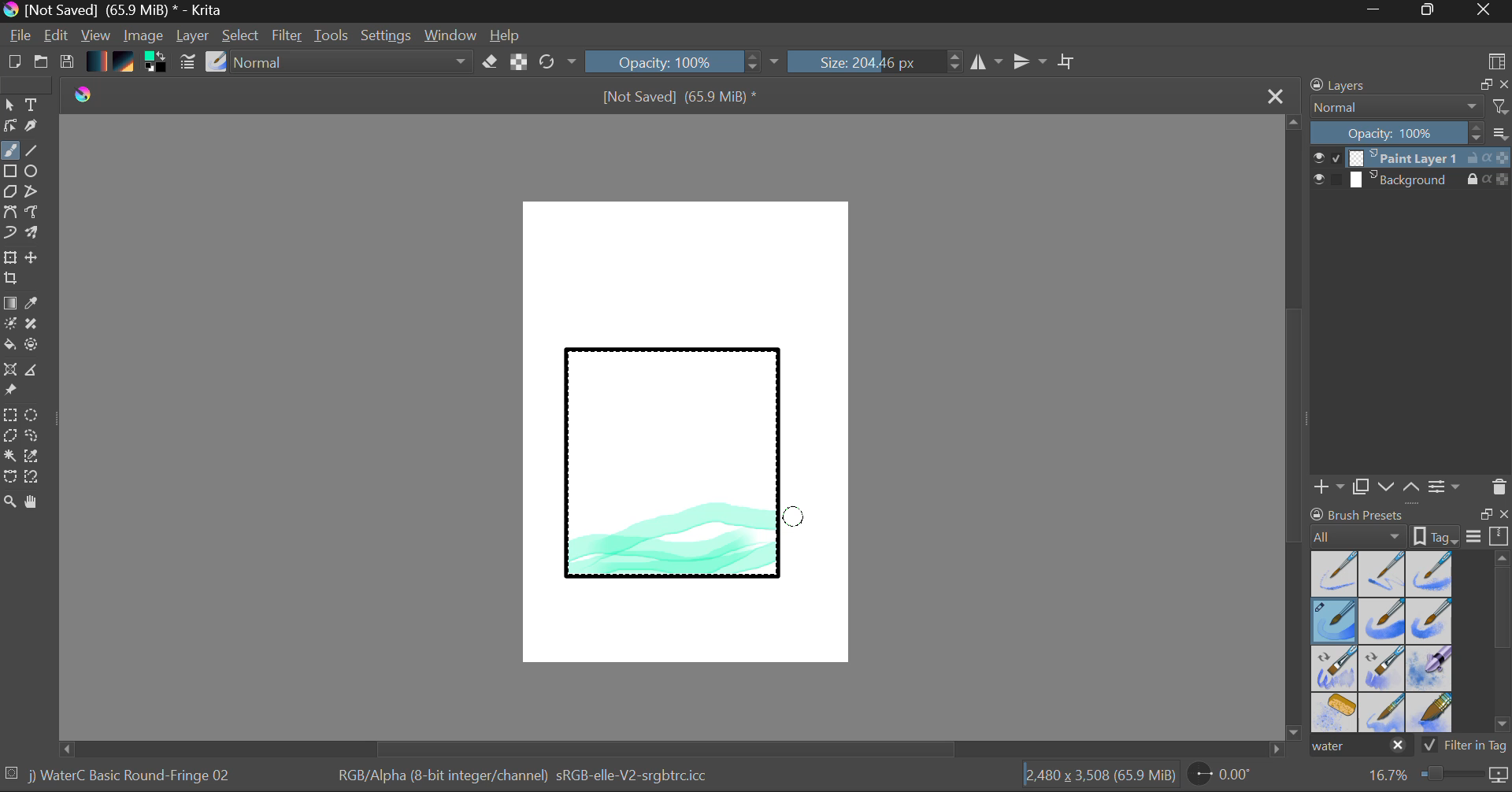  I want to click on Image, so click(145, 37).